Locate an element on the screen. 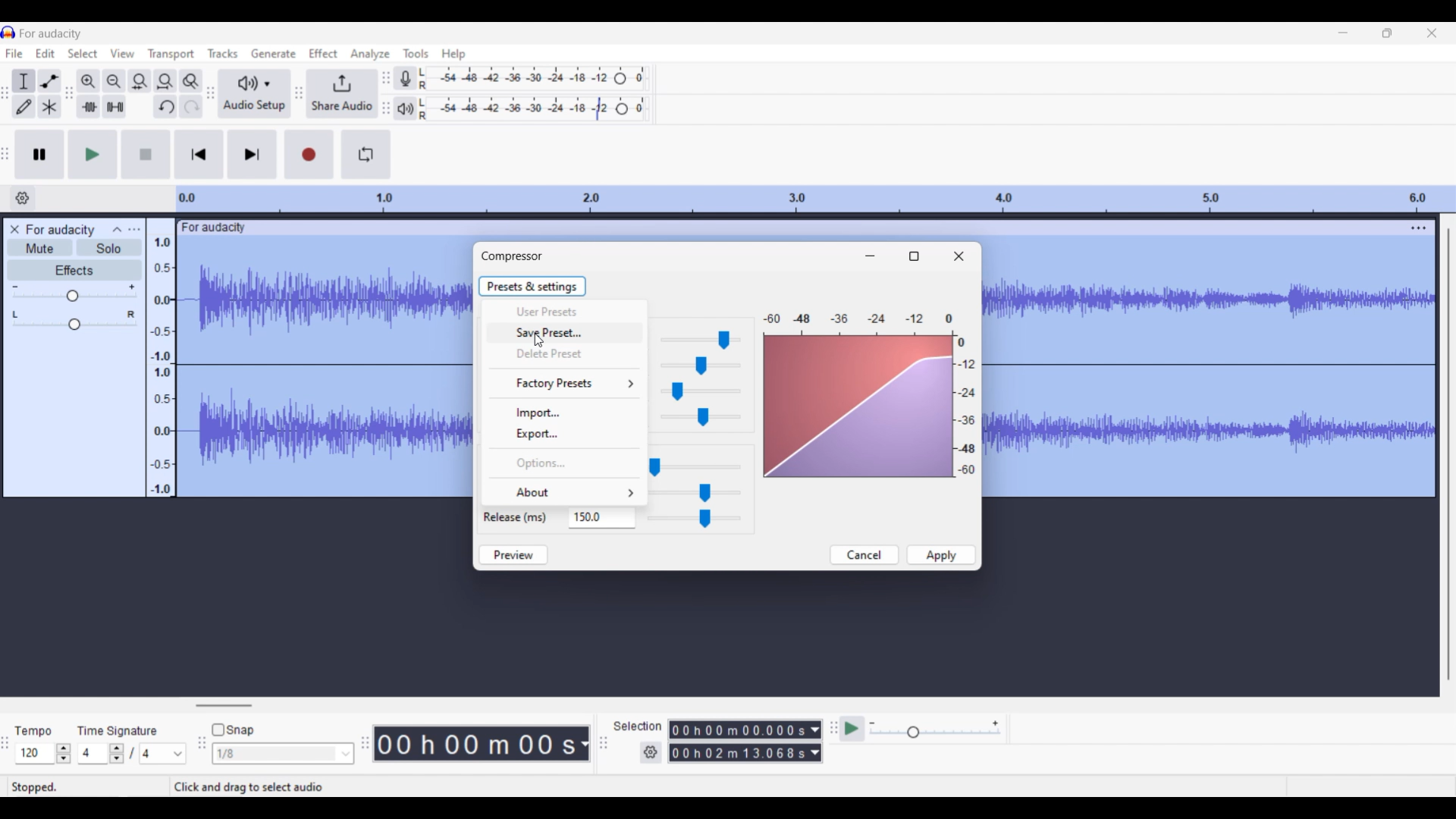 This screenshot has height=819, width=1456. Import is located at coordinates (566, 413).